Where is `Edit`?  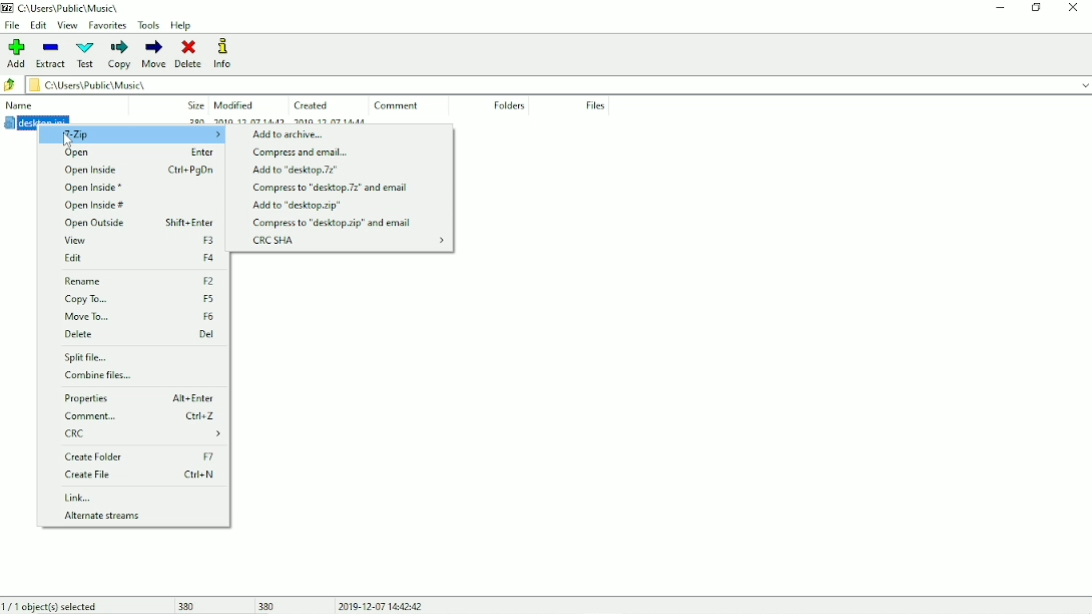 Edit is located at coordinates (138, 258).